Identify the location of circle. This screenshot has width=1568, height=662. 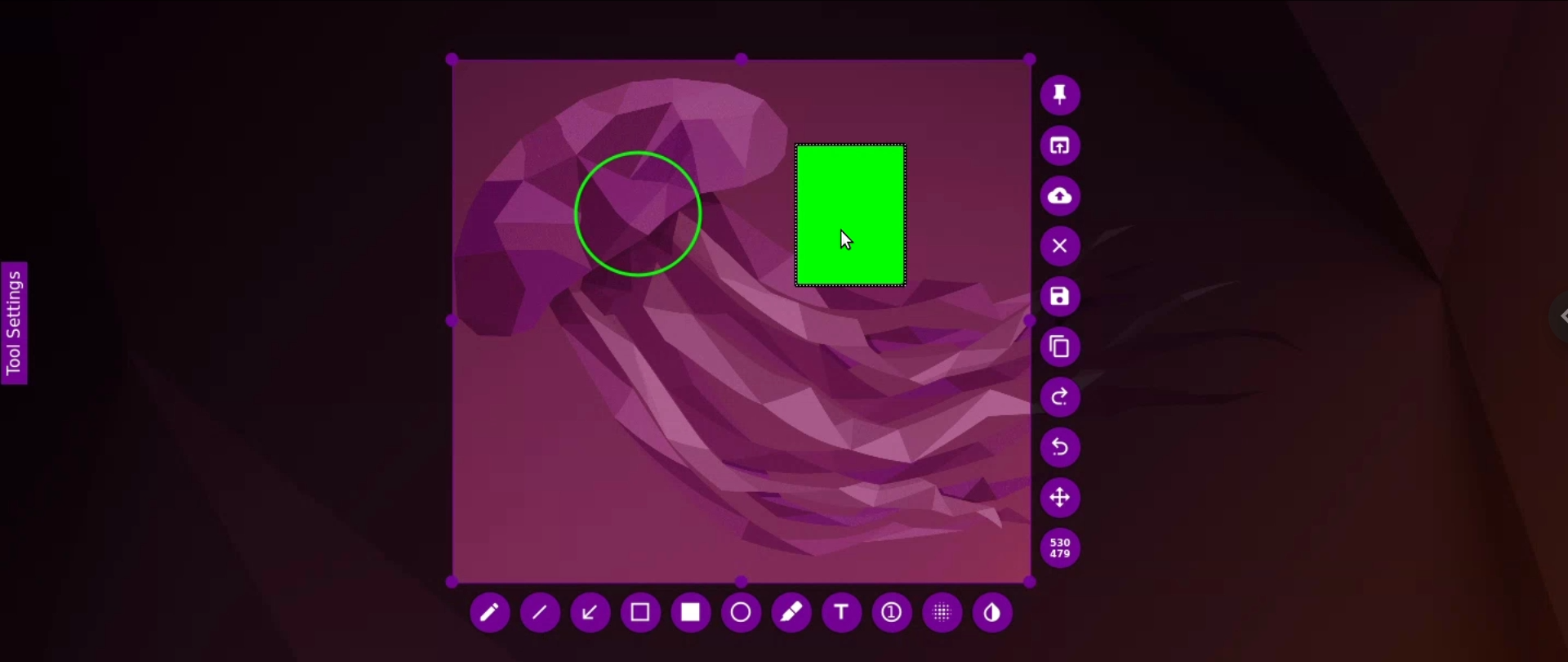
(742, 611).